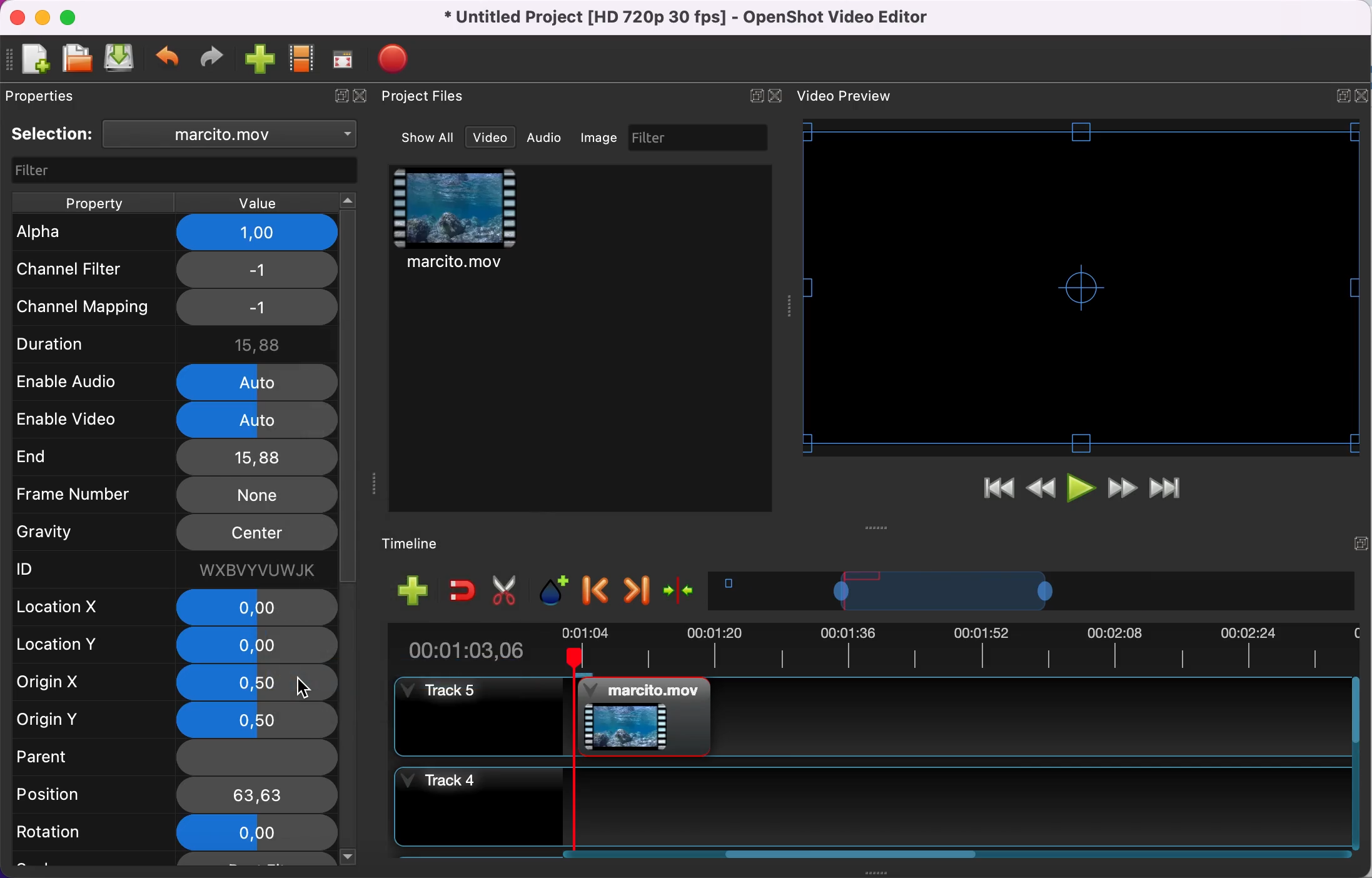 The width and height of the screenshot is (1372, 878). I want to click on clip name, so click(236, 133).